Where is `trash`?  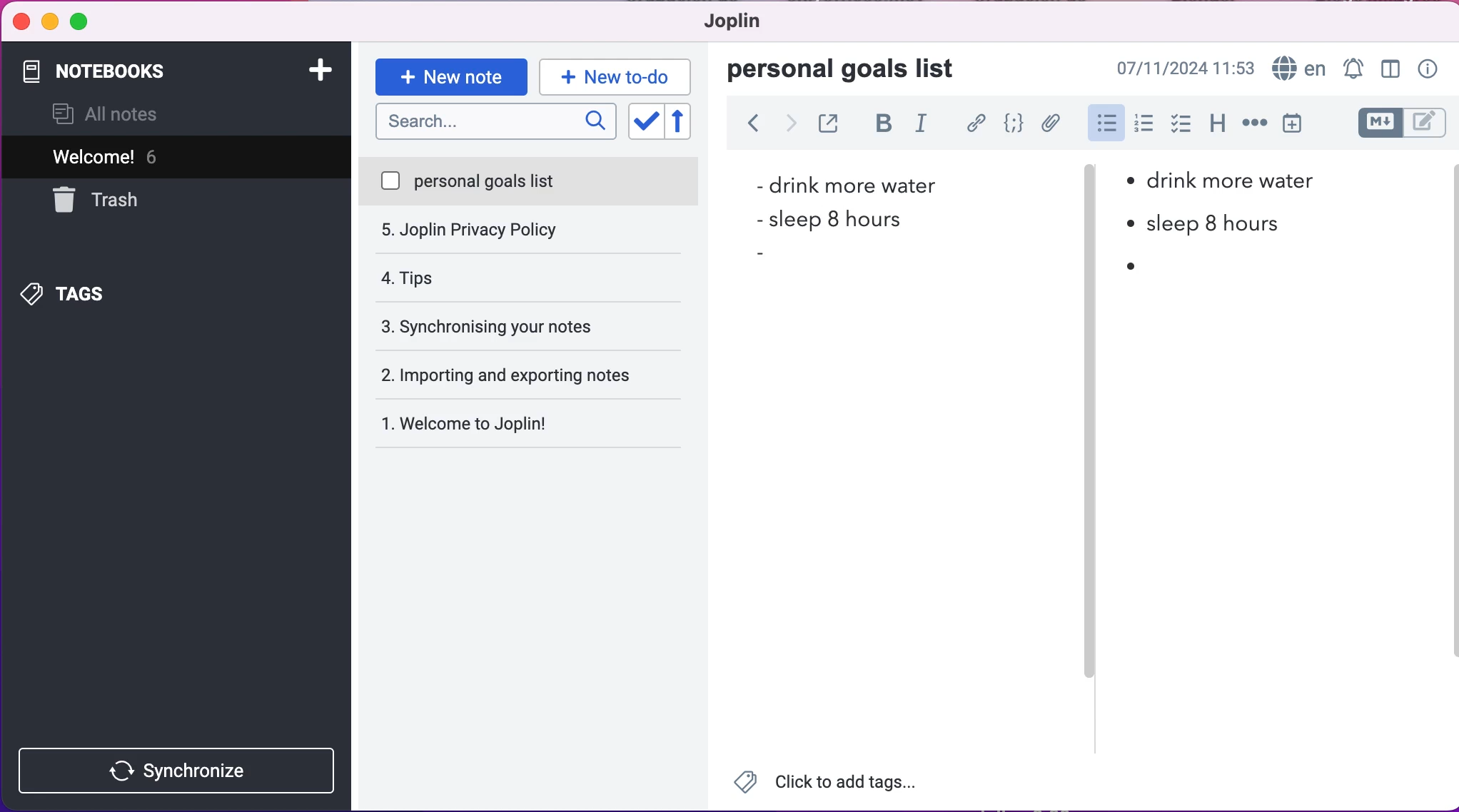 trash is located at coordinates (131, 200).